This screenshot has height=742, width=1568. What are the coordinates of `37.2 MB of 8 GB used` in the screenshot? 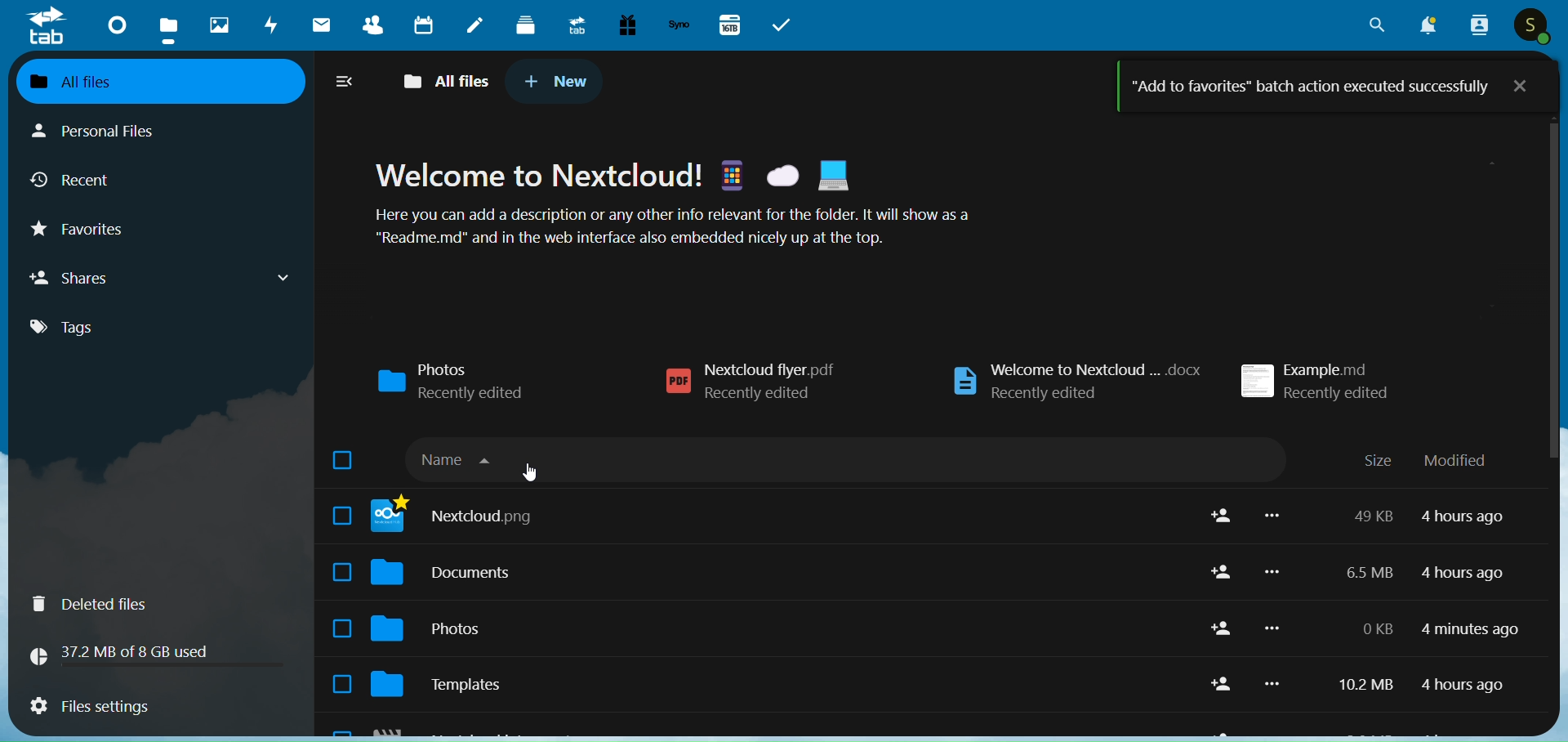 It's located at (155, 655).